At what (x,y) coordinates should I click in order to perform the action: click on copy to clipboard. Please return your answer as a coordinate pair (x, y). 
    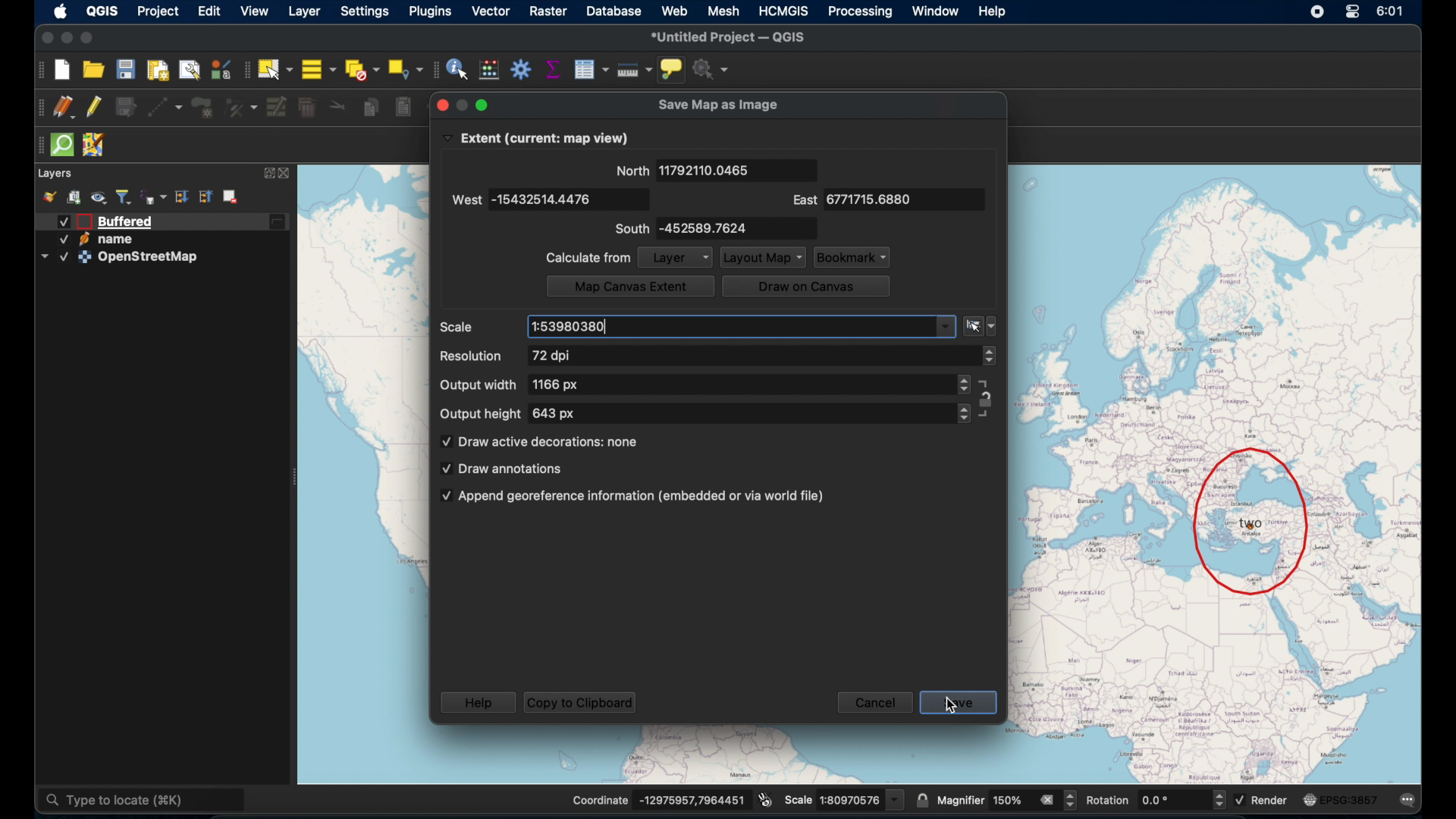
    Looking at the image, I should click on (579, 701).